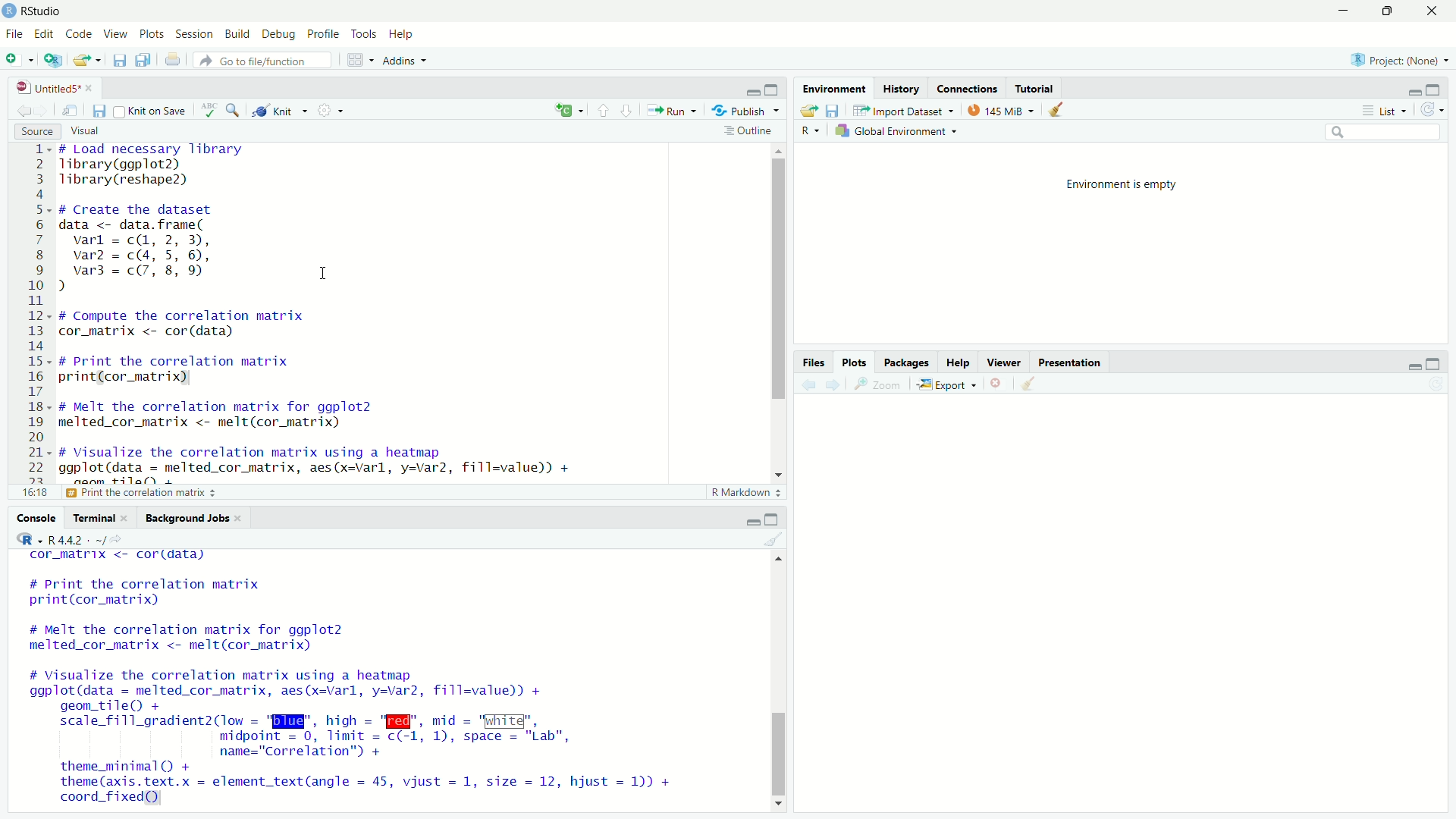  Describe the element at coordinates (753, 519) in the screenshot. I see `minimize` at that location.